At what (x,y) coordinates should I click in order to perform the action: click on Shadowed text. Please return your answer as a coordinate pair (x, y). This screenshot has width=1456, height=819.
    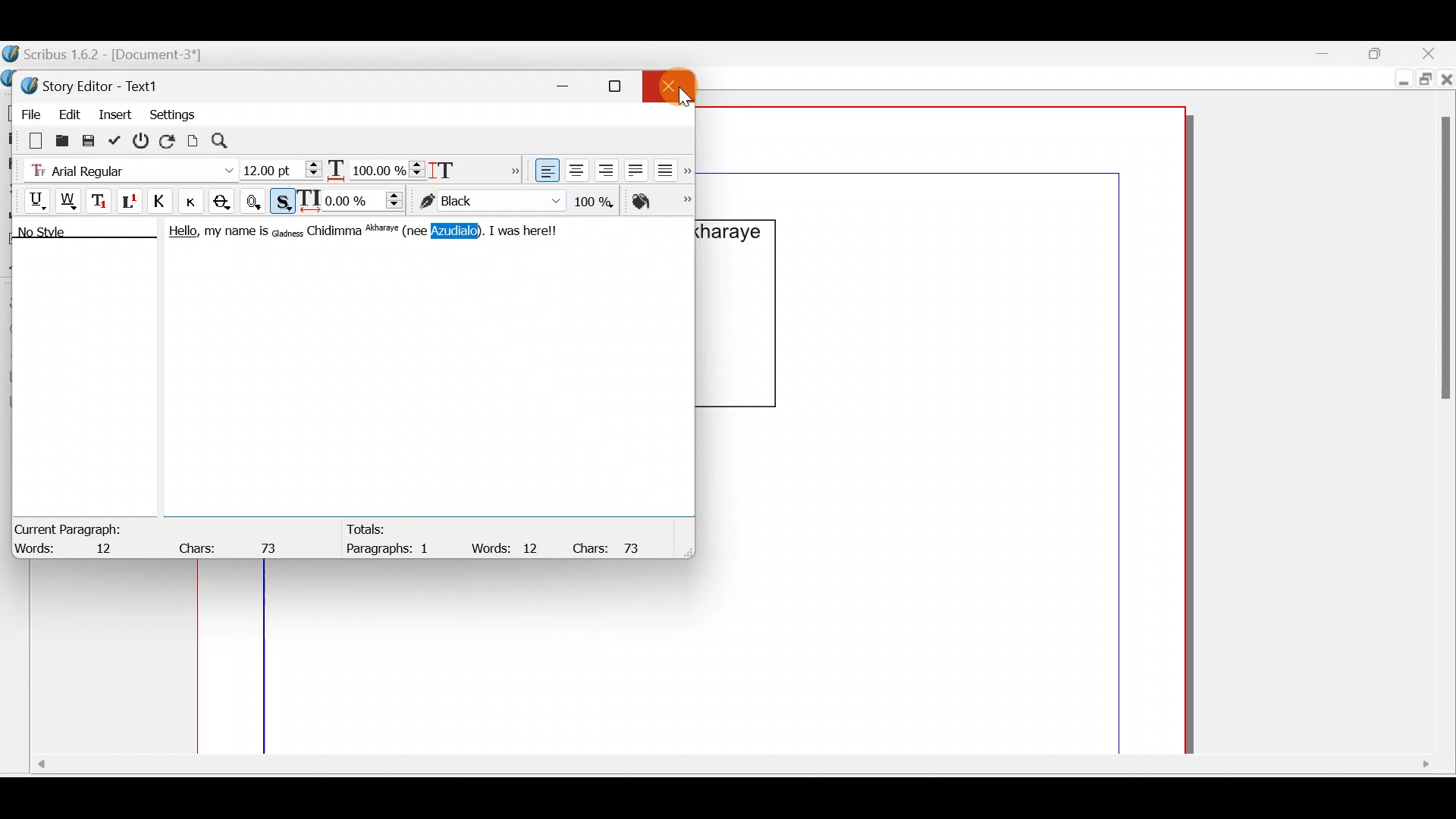
    Looking at the image, I should click on (284, 199).